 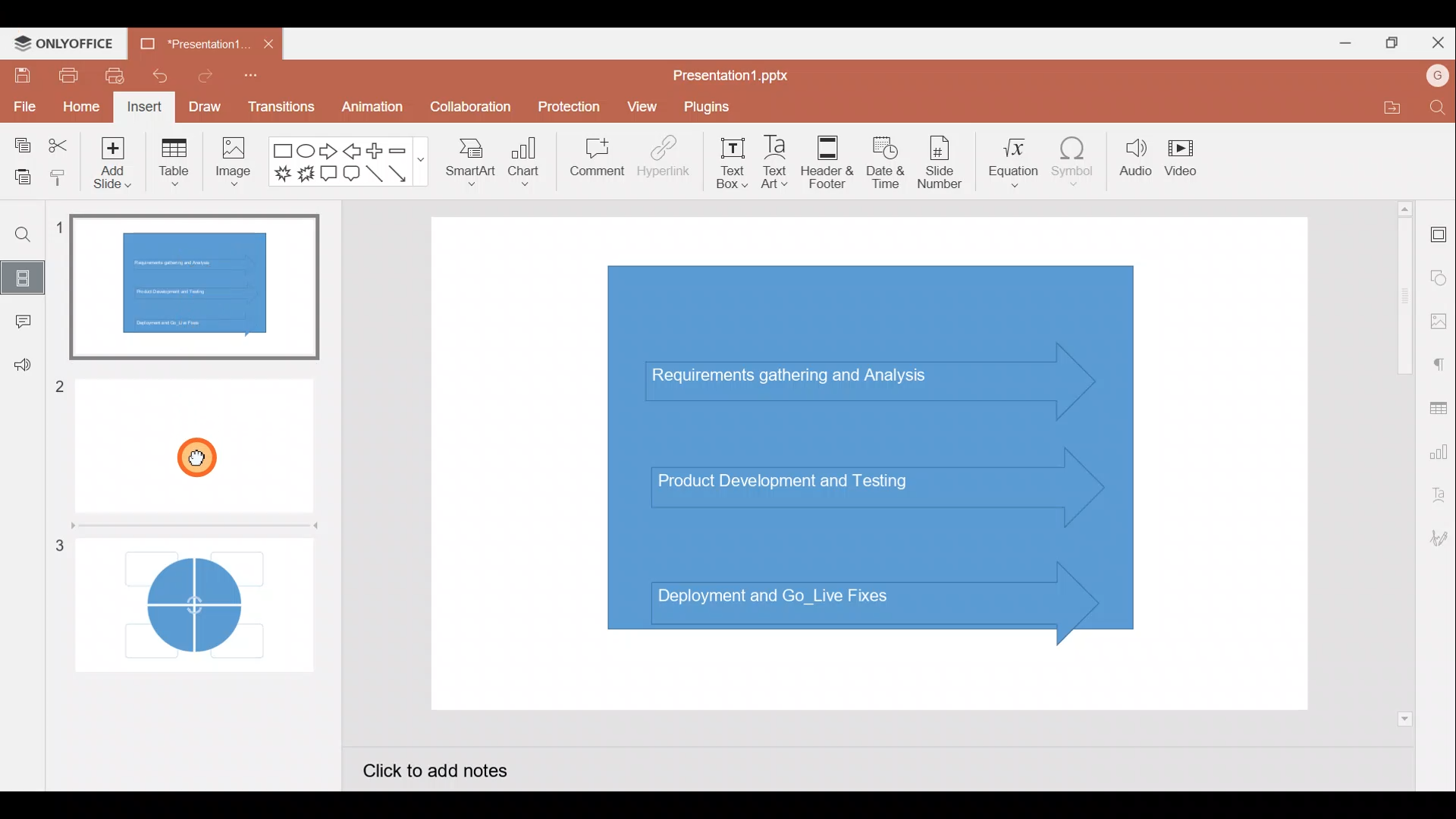 What do you see at coordinates (59, 177) in the screenshot?
I see `Copy style` at bounding box center [59, 177].